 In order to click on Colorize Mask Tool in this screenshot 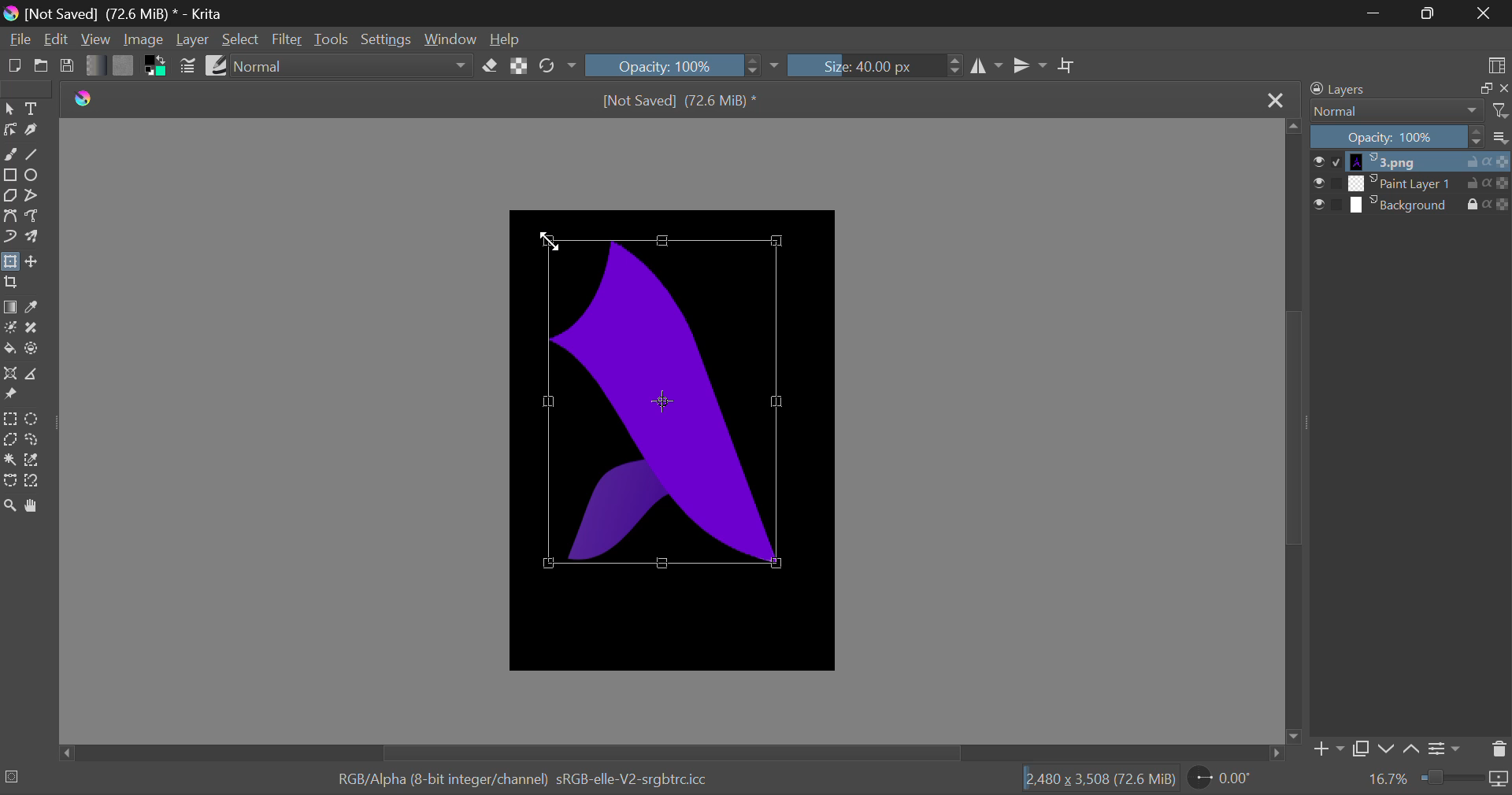, I will do `click(11, 329)`.